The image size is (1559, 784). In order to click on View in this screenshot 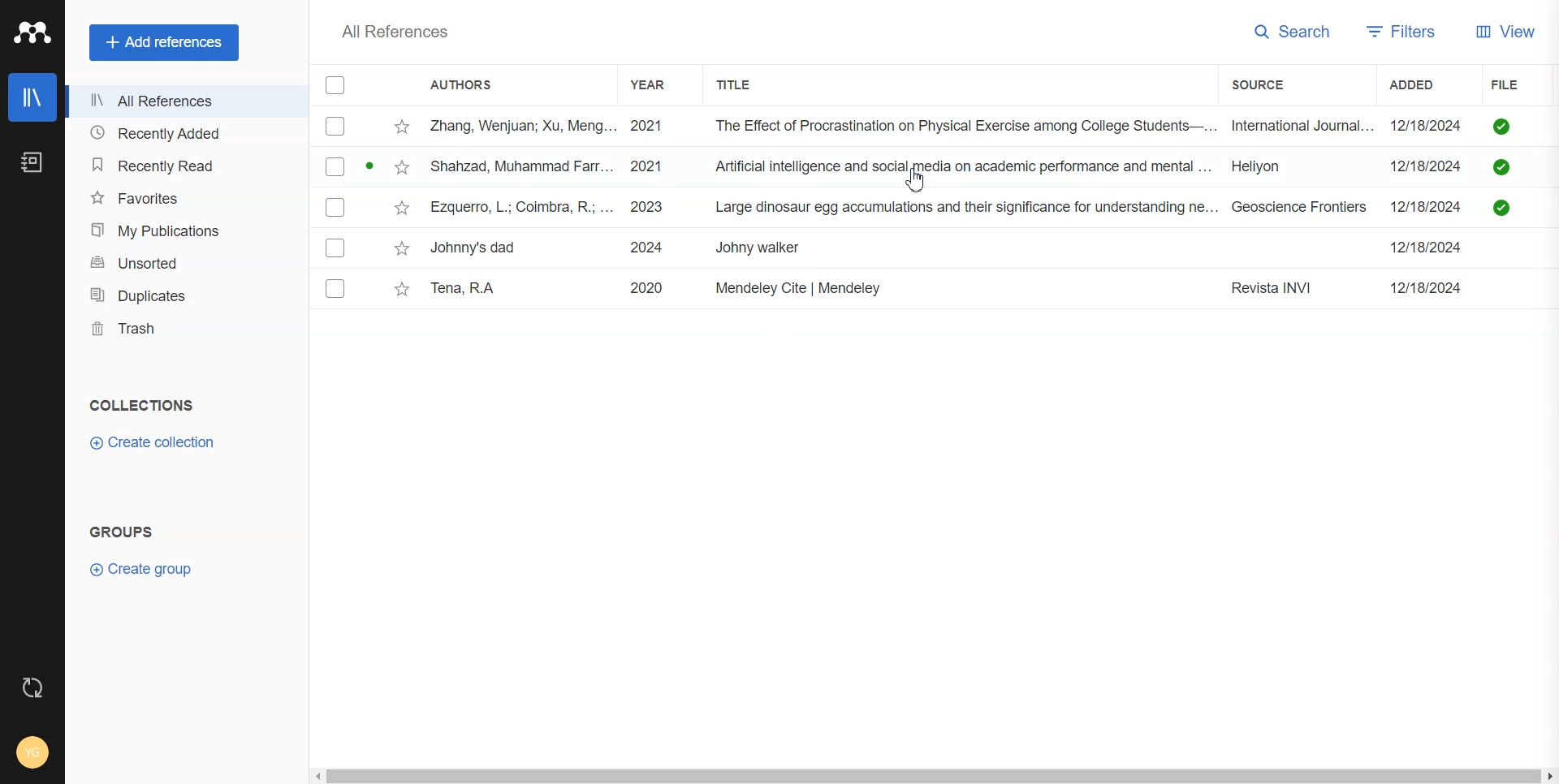, I will do `click(1502, 30)`.